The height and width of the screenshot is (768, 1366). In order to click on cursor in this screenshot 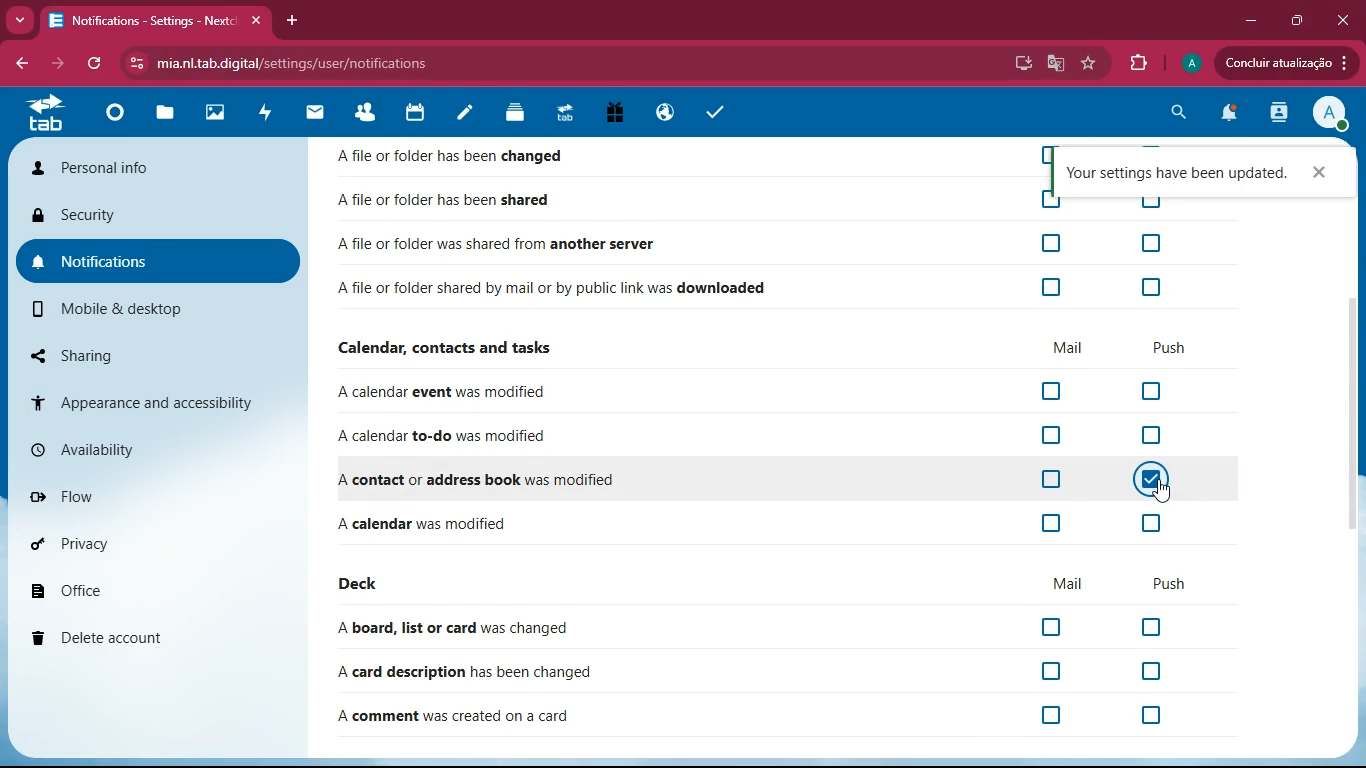, I will do `click(1163, 492)`.